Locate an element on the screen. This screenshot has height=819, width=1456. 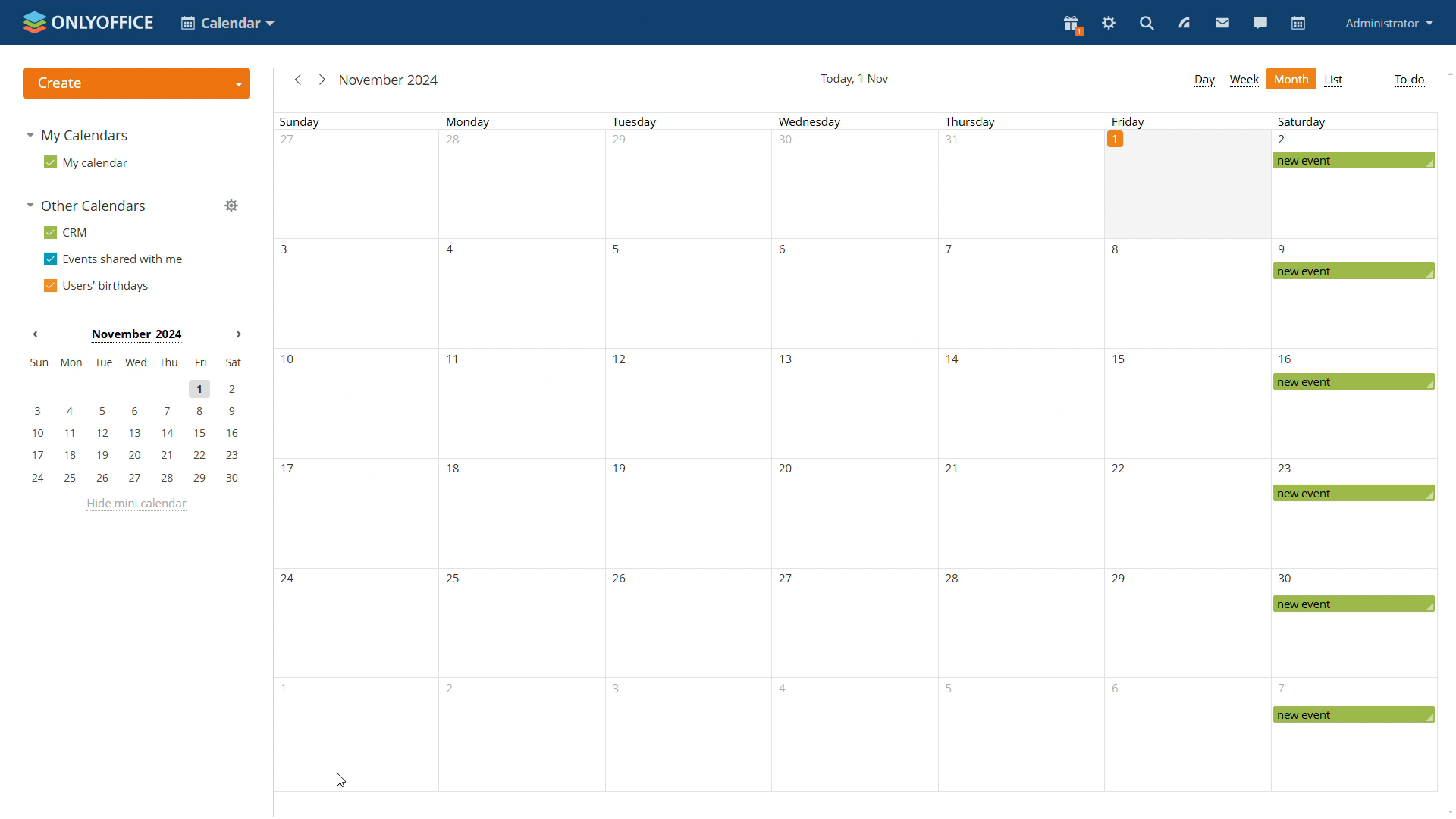
week view is located at coordinates (1245, 80).